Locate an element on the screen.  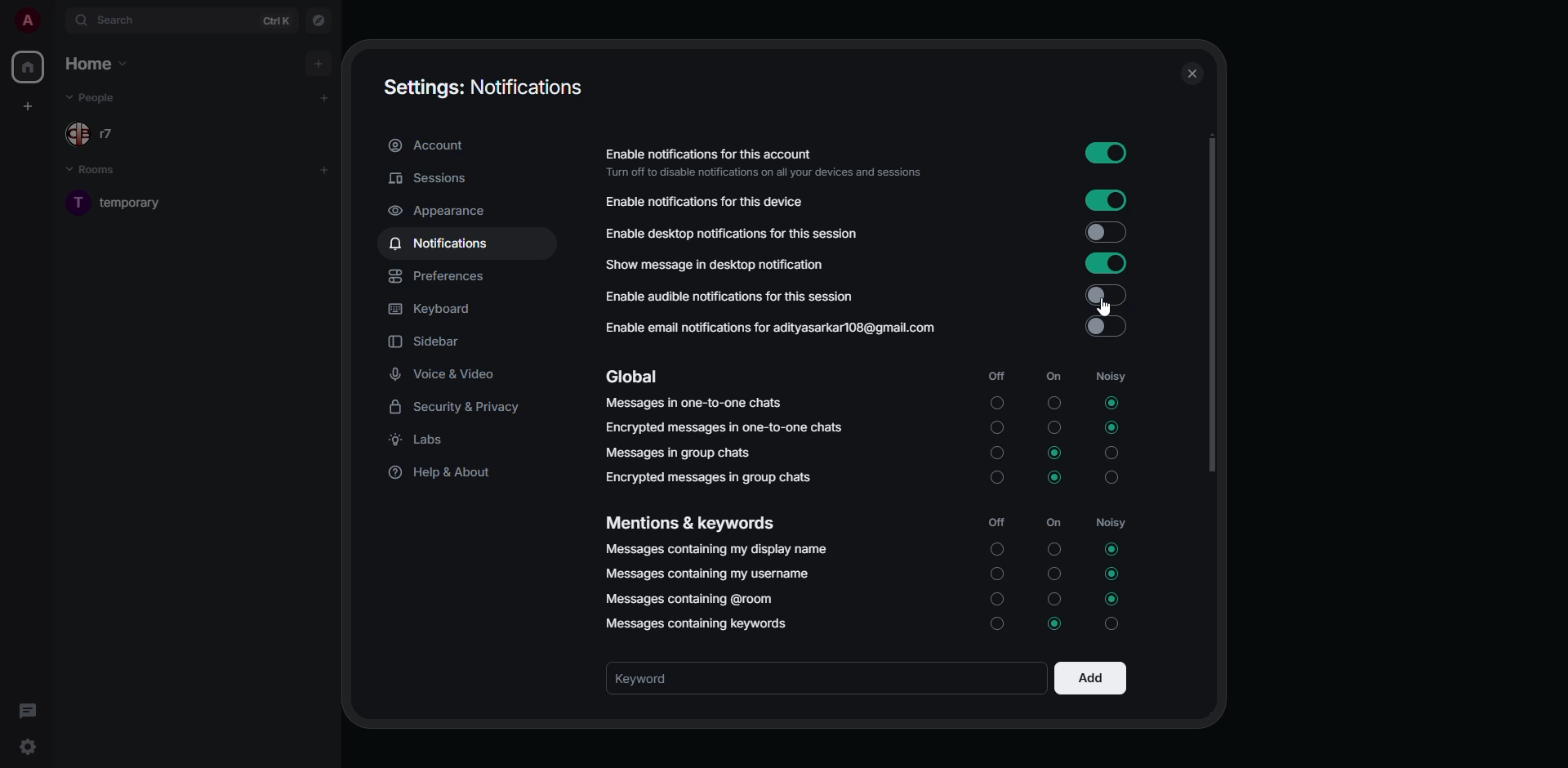
search is located at coordinates (111, 19).